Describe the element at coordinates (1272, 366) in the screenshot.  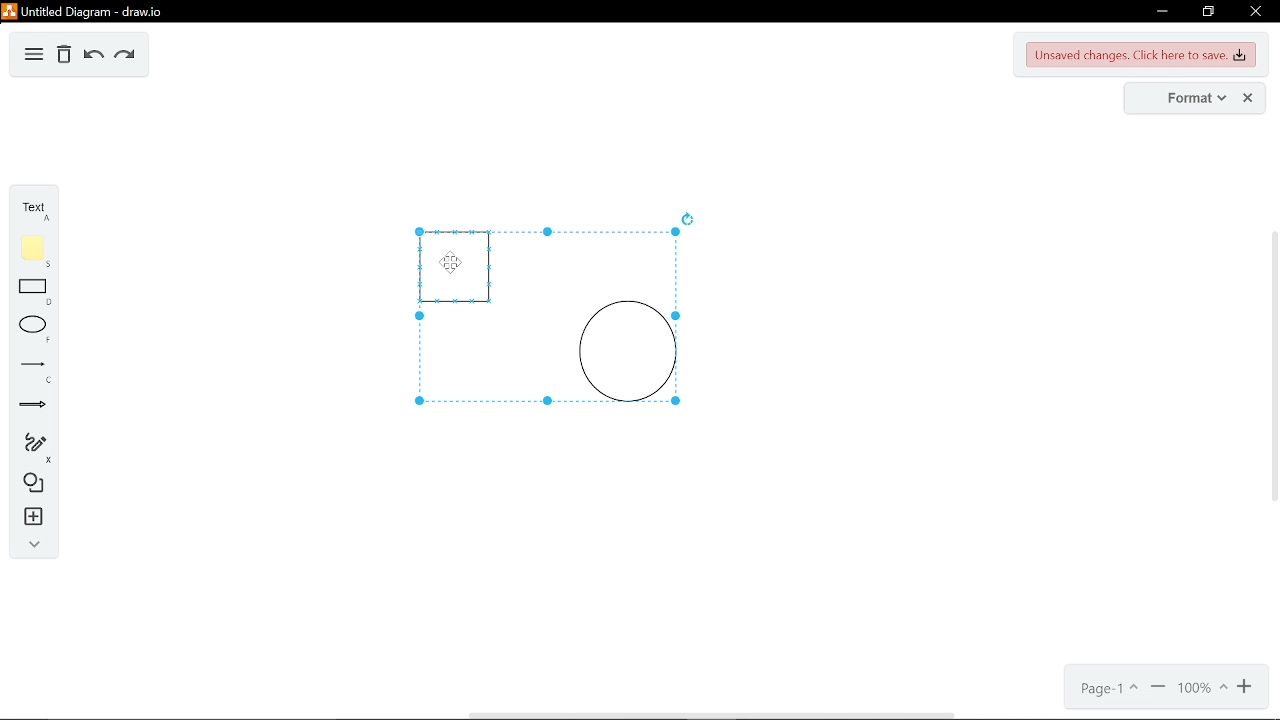
I see `vertical scrollbar` at that location.